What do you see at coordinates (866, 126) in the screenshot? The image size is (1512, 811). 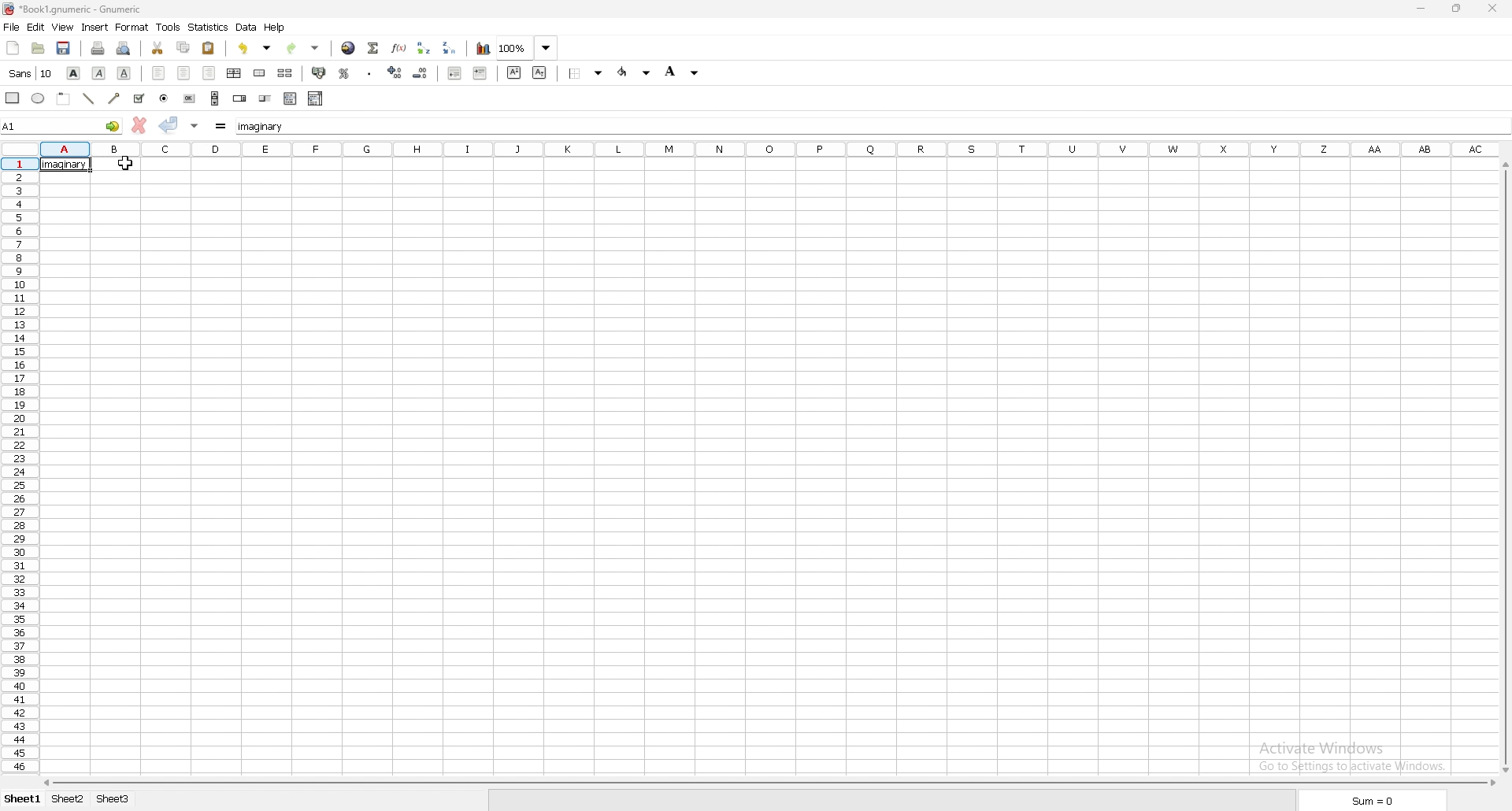 I see `cell input` at bounding box center [866, 126].